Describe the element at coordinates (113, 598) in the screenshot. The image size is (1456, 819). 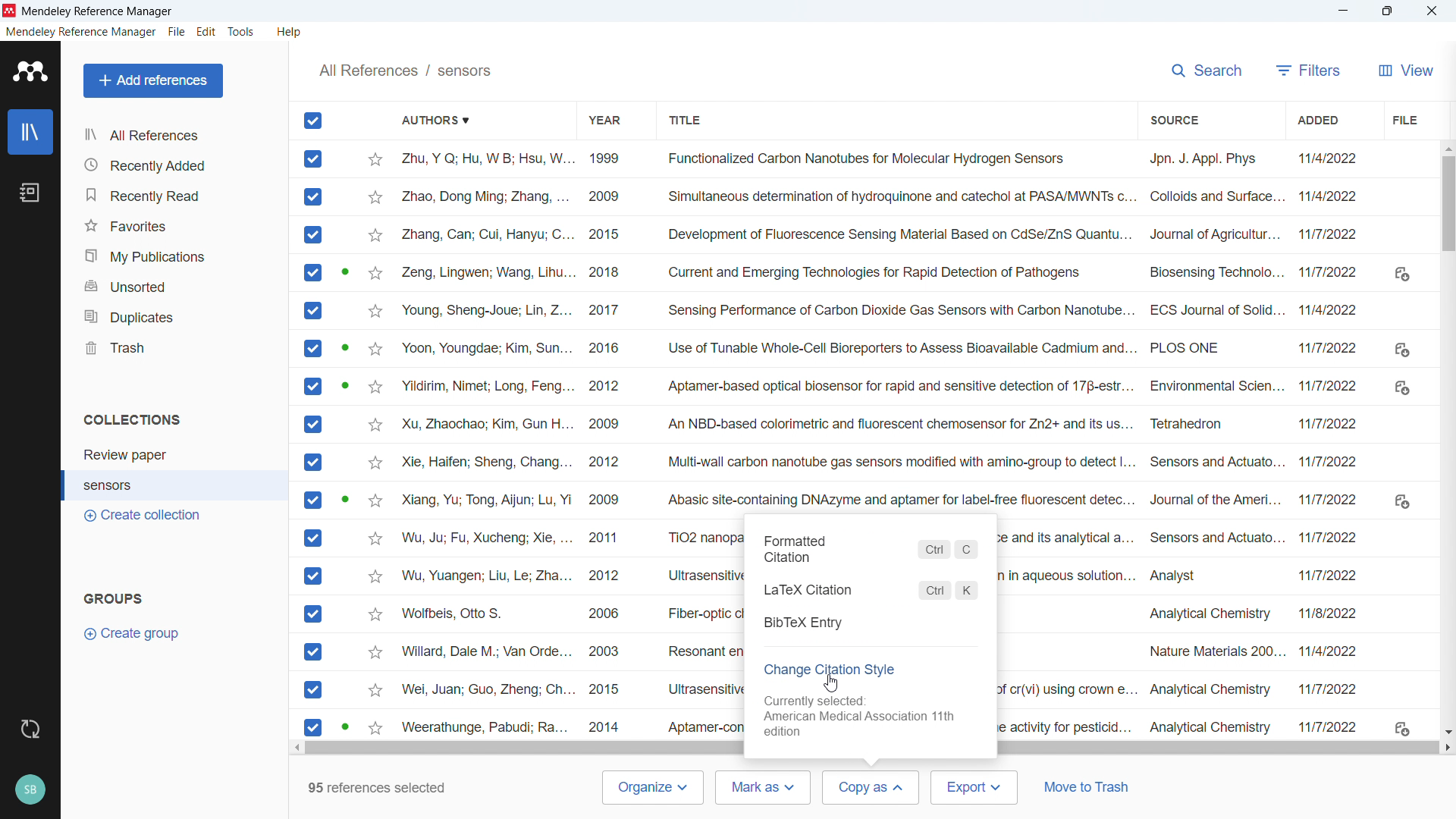
I see `groups` at that location.